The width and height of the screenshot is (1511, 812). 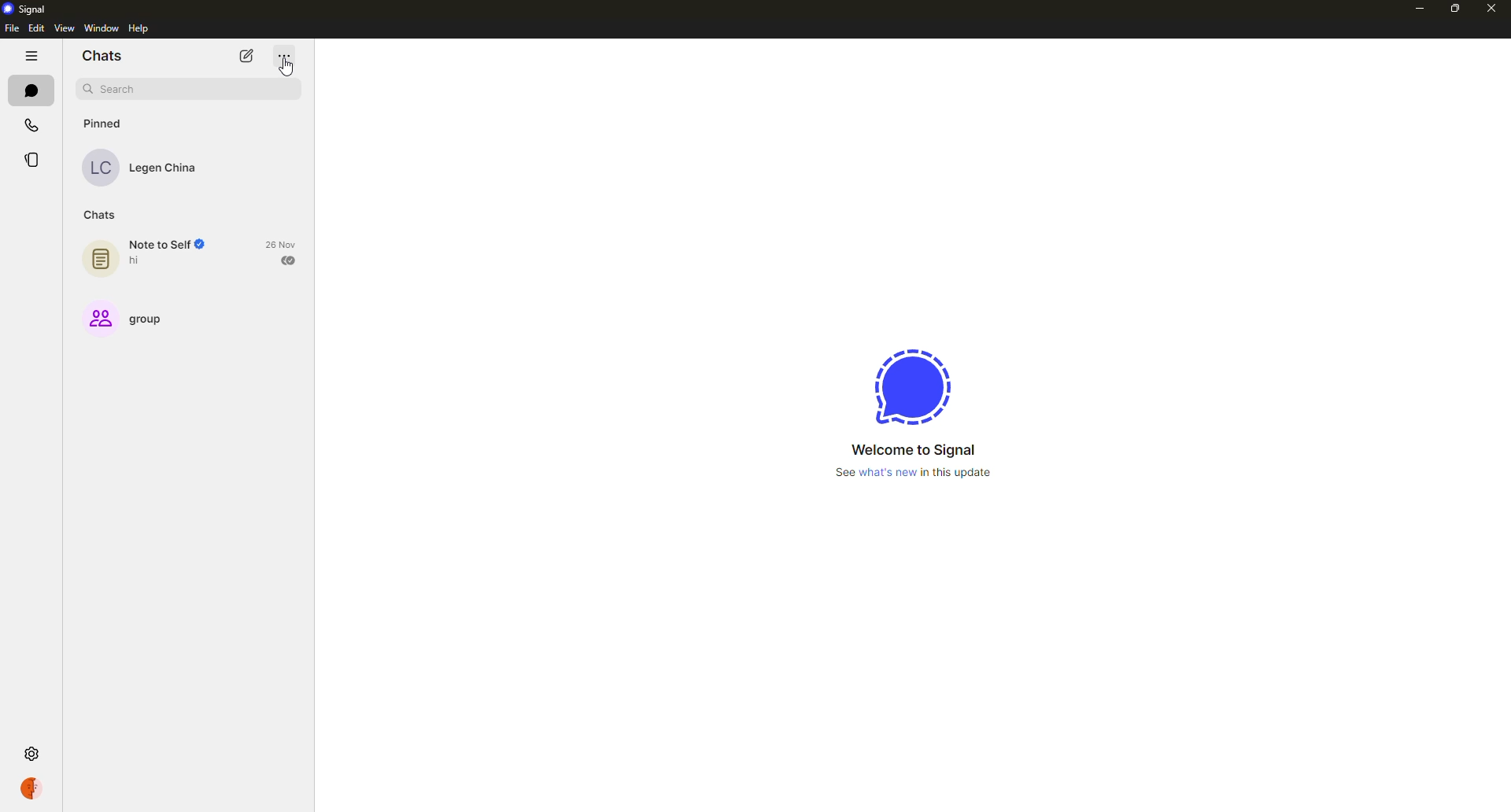 What do you see at coordinates (1455, 9) in the screenshot?
I see `maximize` at bounding box center [1455, 9].